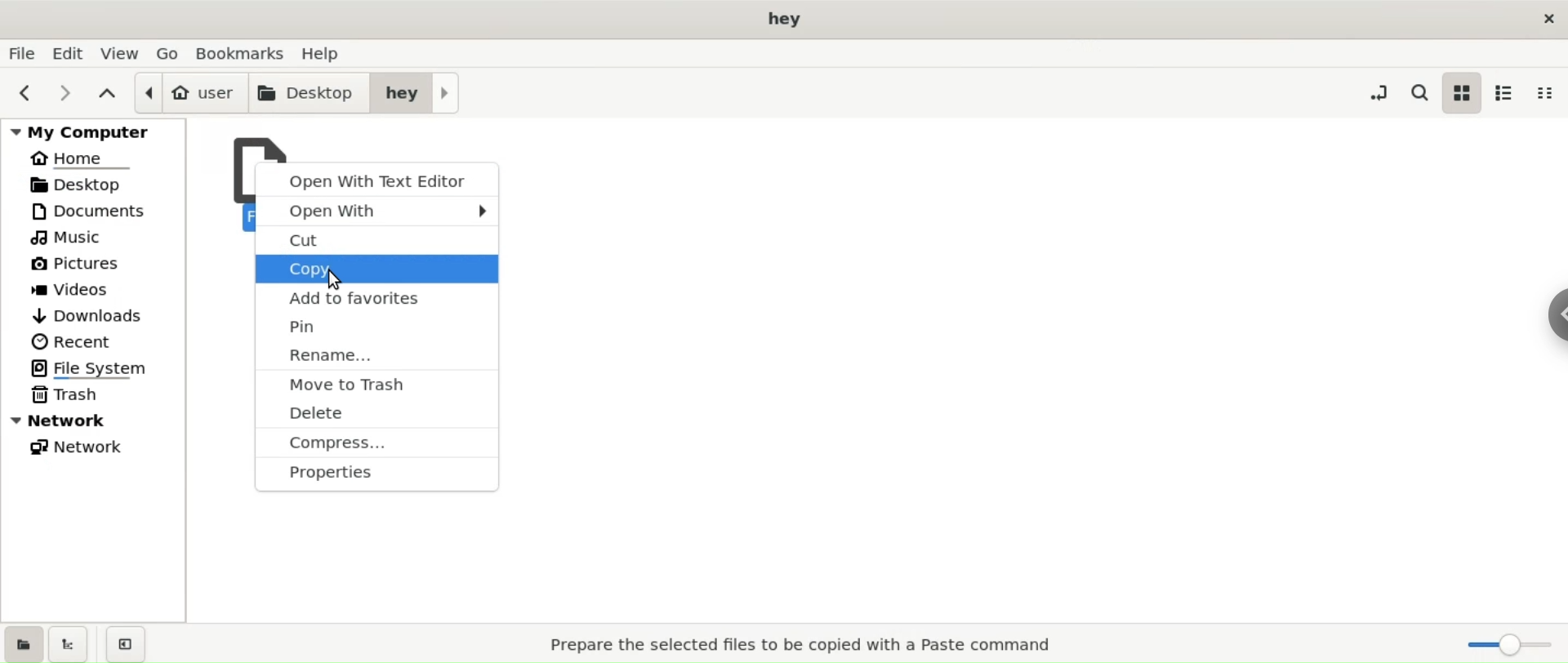 The height and width of the screenshot is (663, 1568). Describe the element at coordinates (376, 356) in the screenshot. I see `rename` at that location.